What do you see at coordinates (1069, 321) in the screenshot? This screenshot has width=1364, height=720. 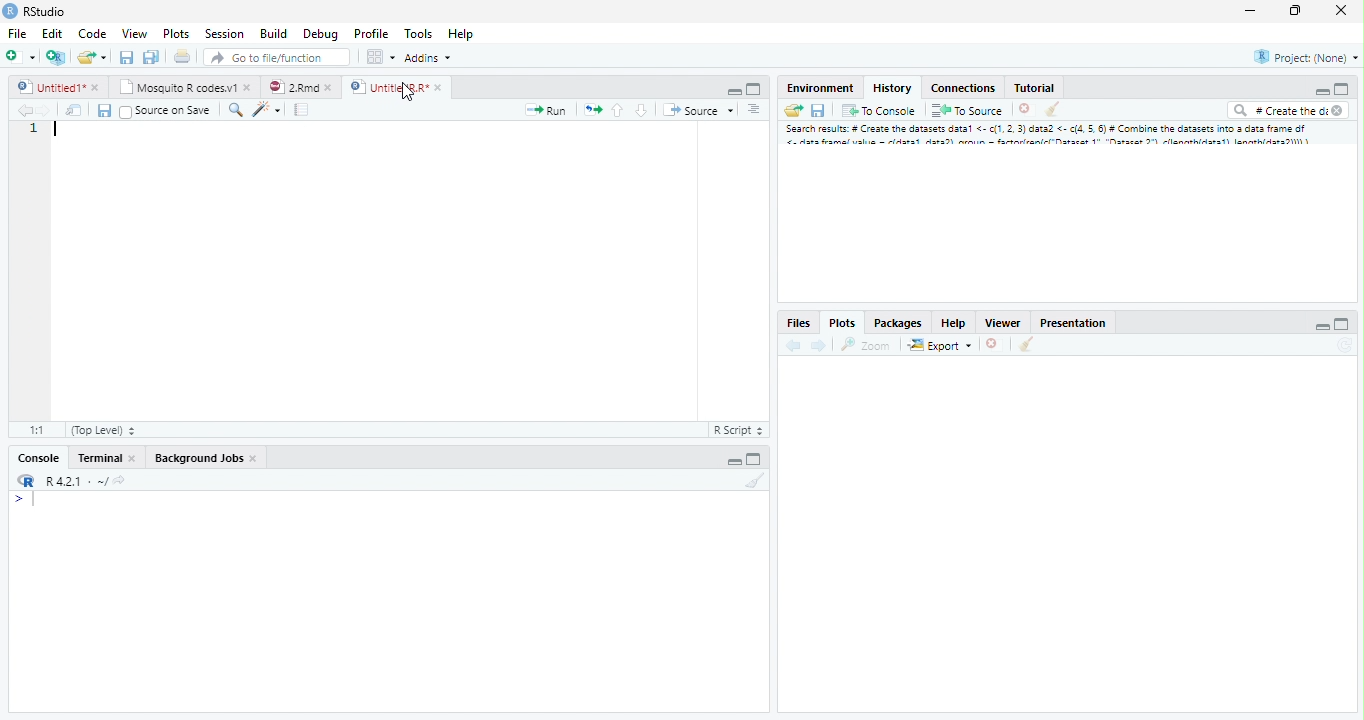 I see `Prsentation` at bounding box center [1069, 321].